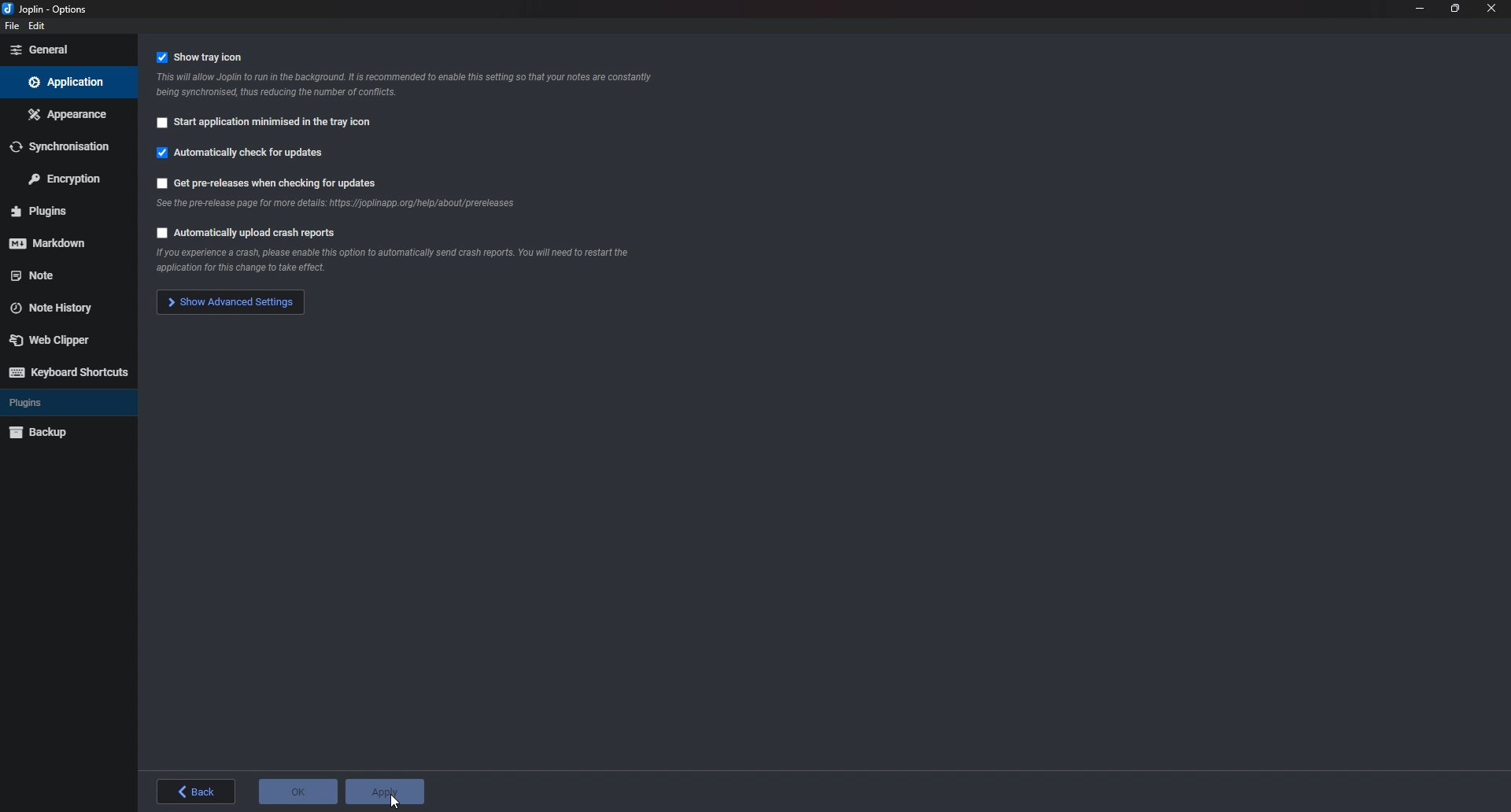 The height and width of the screenshot is (812, 1511). Describe the element at coordinates (388, 262) in the screenshot. I see `info` at that location.